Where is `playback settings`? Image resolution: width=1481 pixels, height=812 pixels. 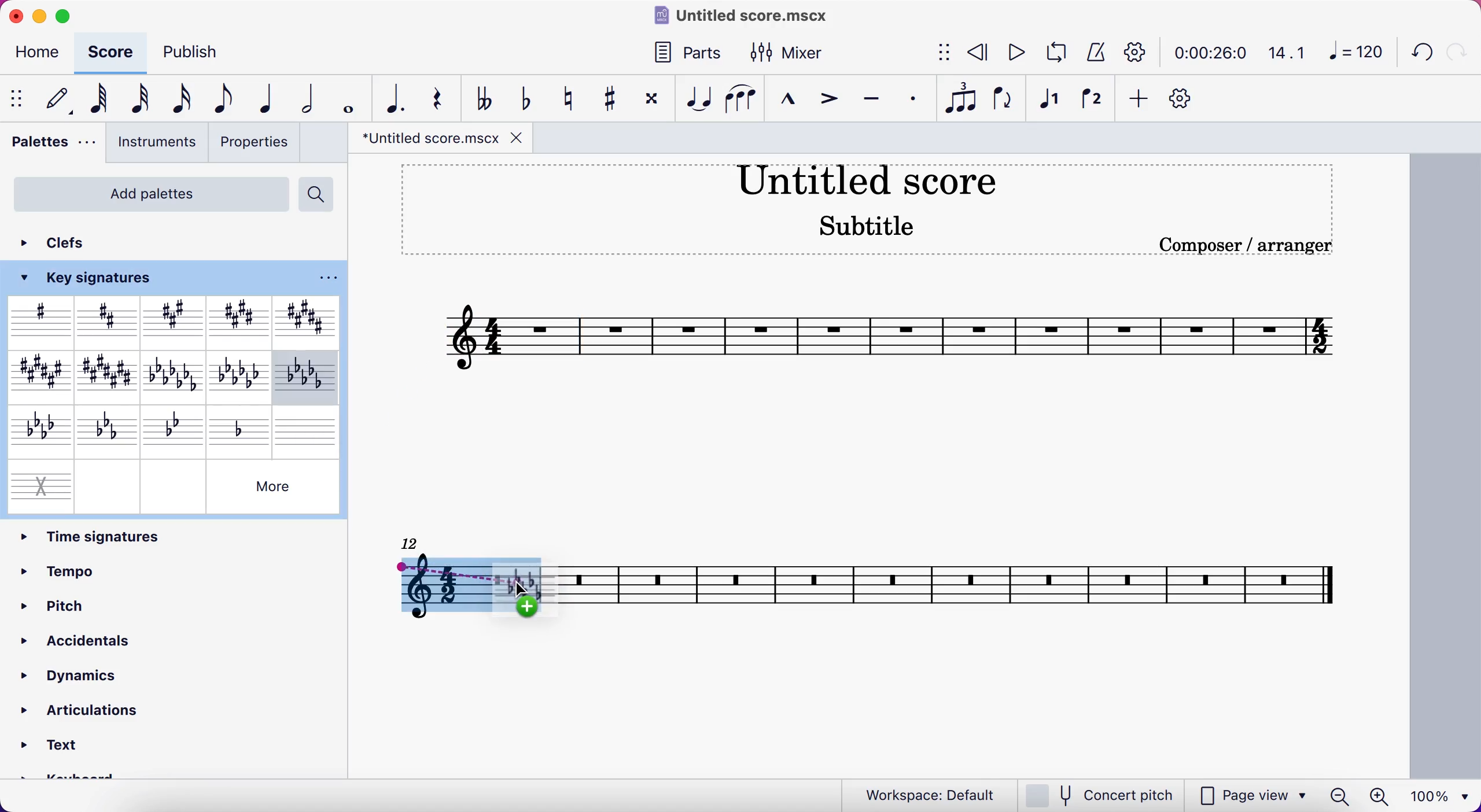
playback settings is located at coordinates (1132, 53).